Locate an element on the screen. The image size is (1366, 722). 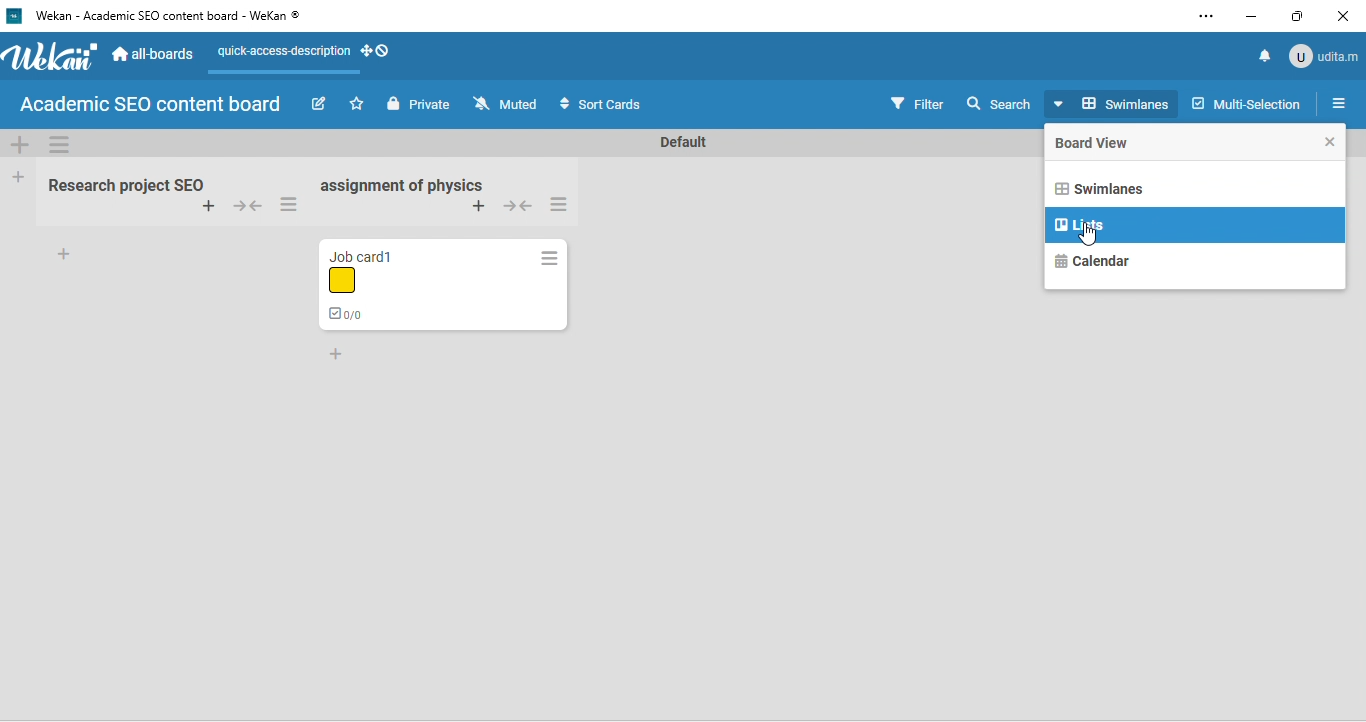
quick access description is located at coordinates (282, 55).